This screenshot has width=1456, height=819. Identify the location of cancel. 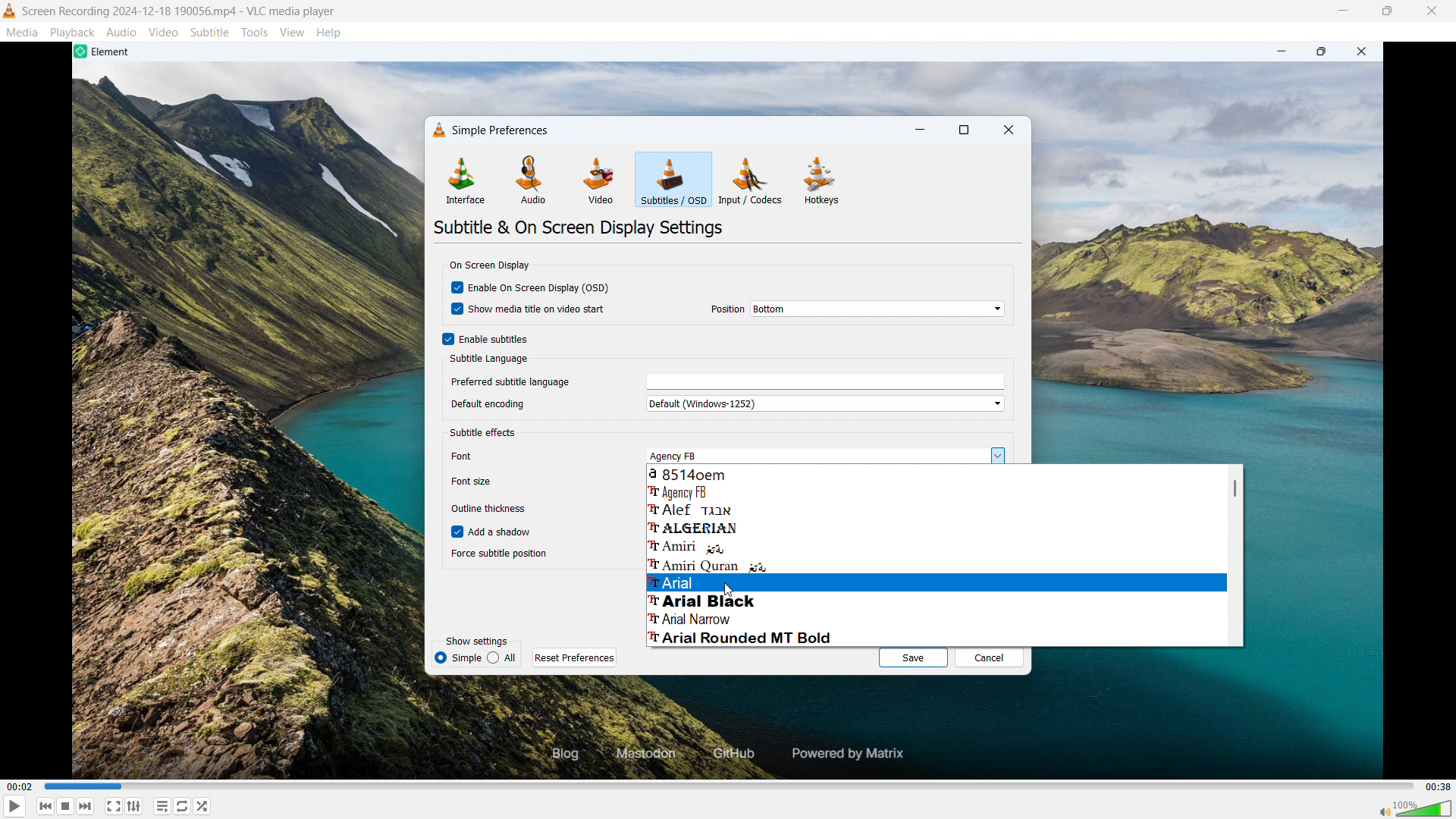
(990, 657).